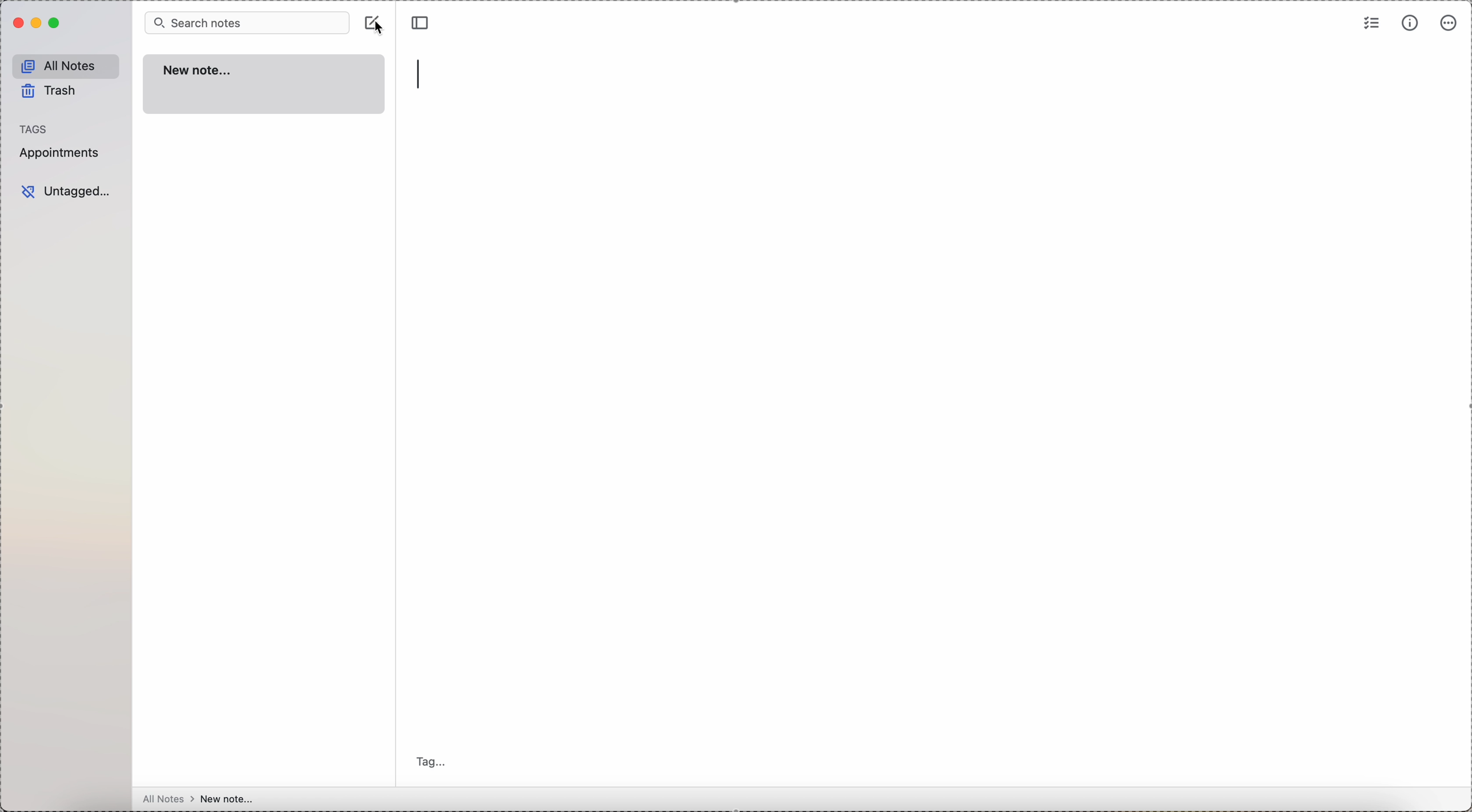 This screenshot has width=1472, height=812. Describe the element at coordinates (246, 23) in the screenshot. I see `search bar` at that location.